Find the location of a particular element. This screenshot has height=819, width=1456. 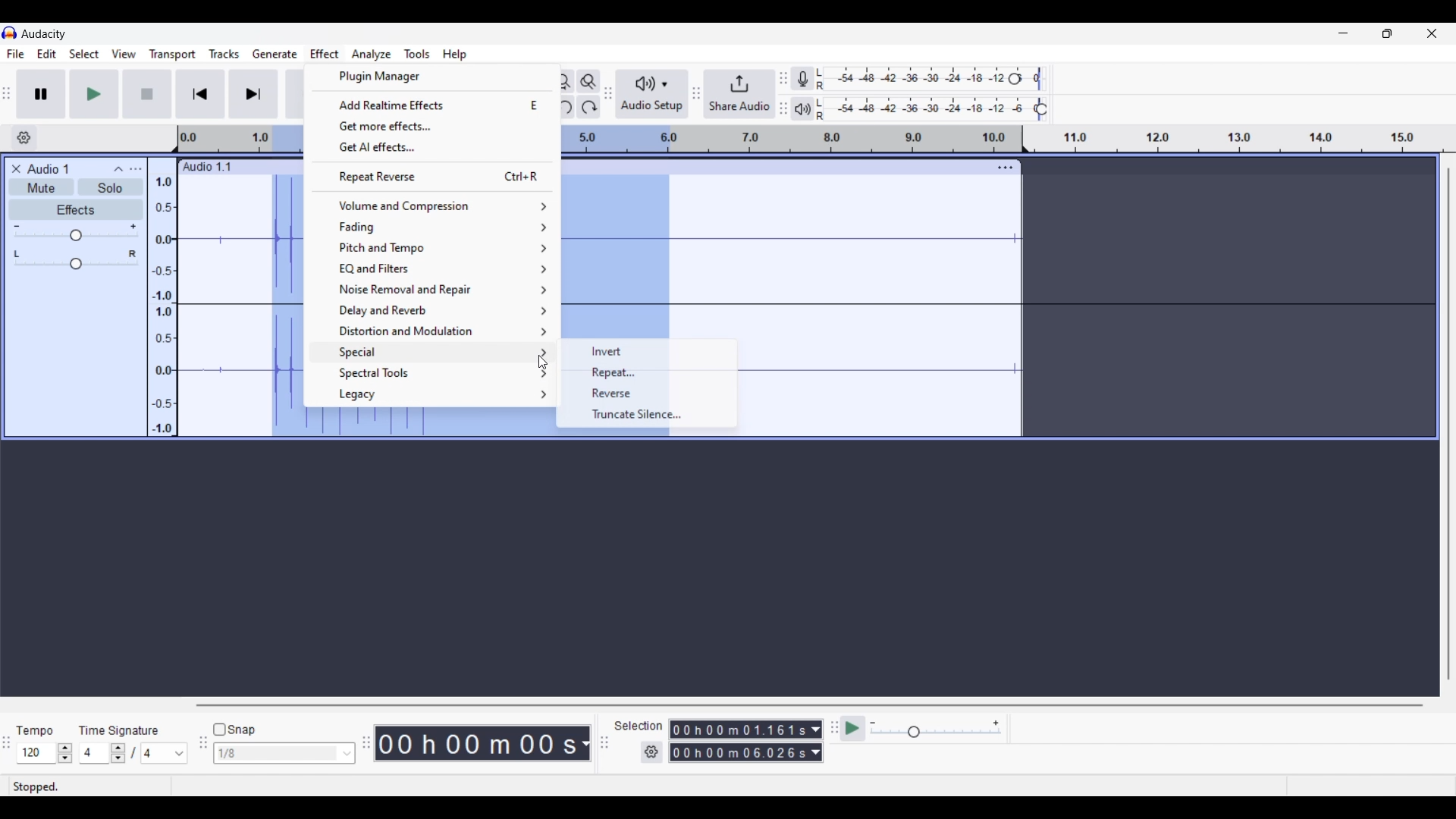

Analyze menu is located at coordinates (372, 55).